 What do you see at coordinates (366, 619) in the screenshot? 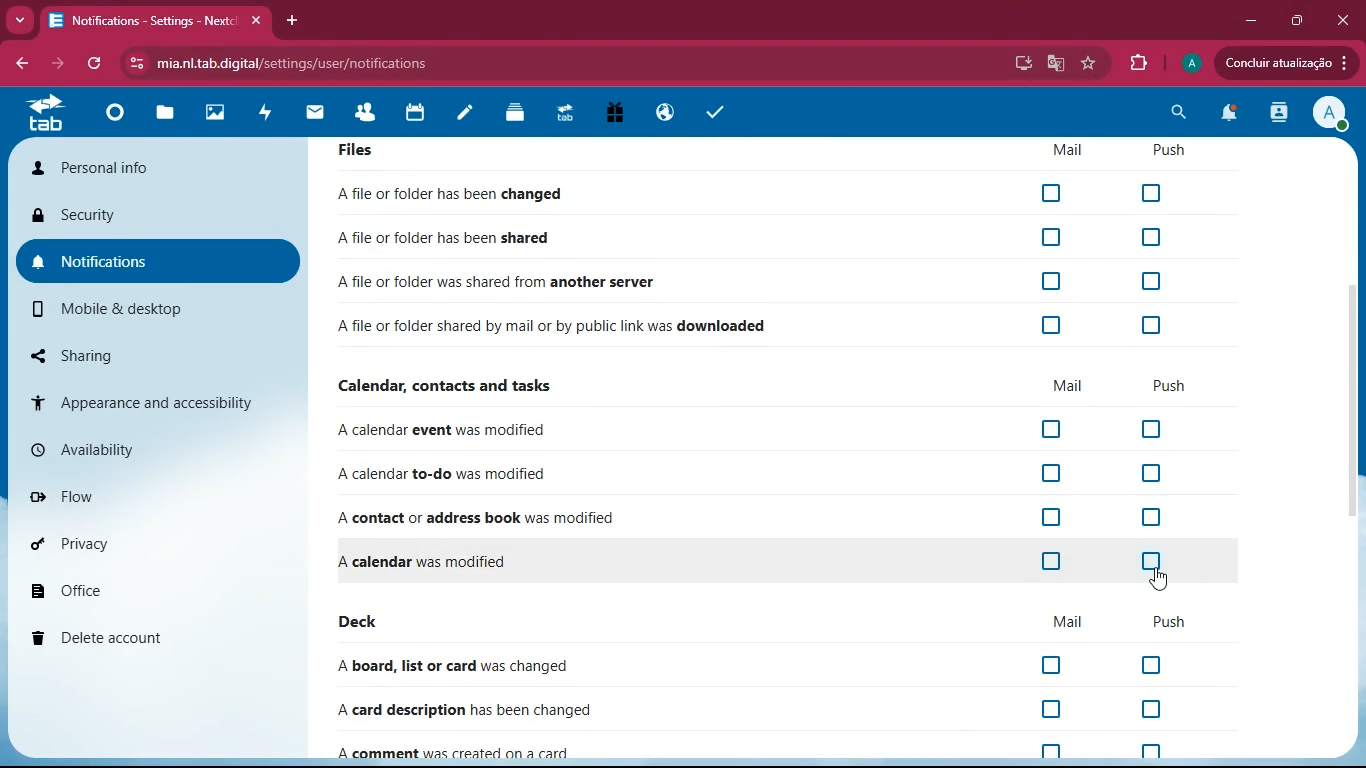
I see `deck` at bounding box center [366, 619].